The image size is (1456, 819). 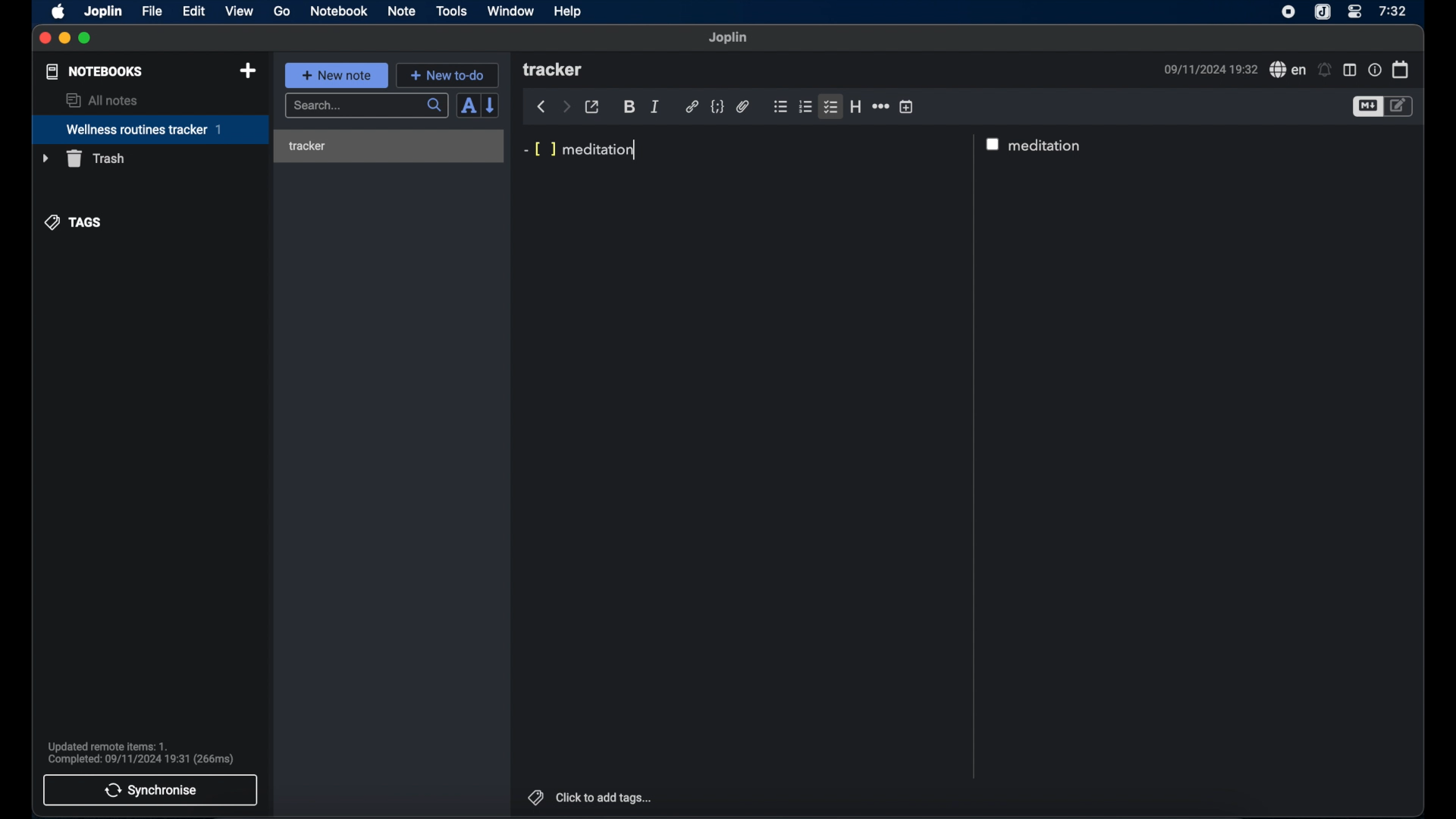 I want to click on joplin, so click(x=729, y=38).